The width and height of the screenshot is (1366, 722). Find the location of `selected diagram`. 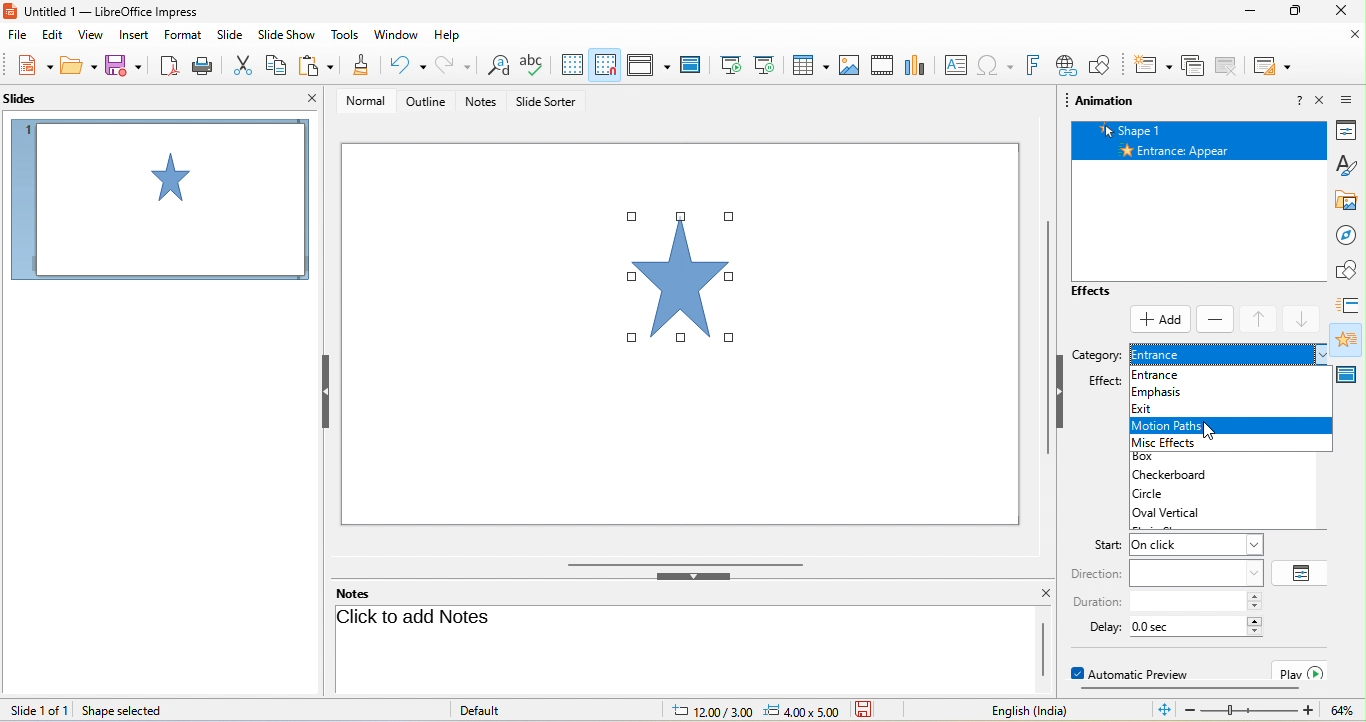

selected diagram is located at coordinates (689, 281).